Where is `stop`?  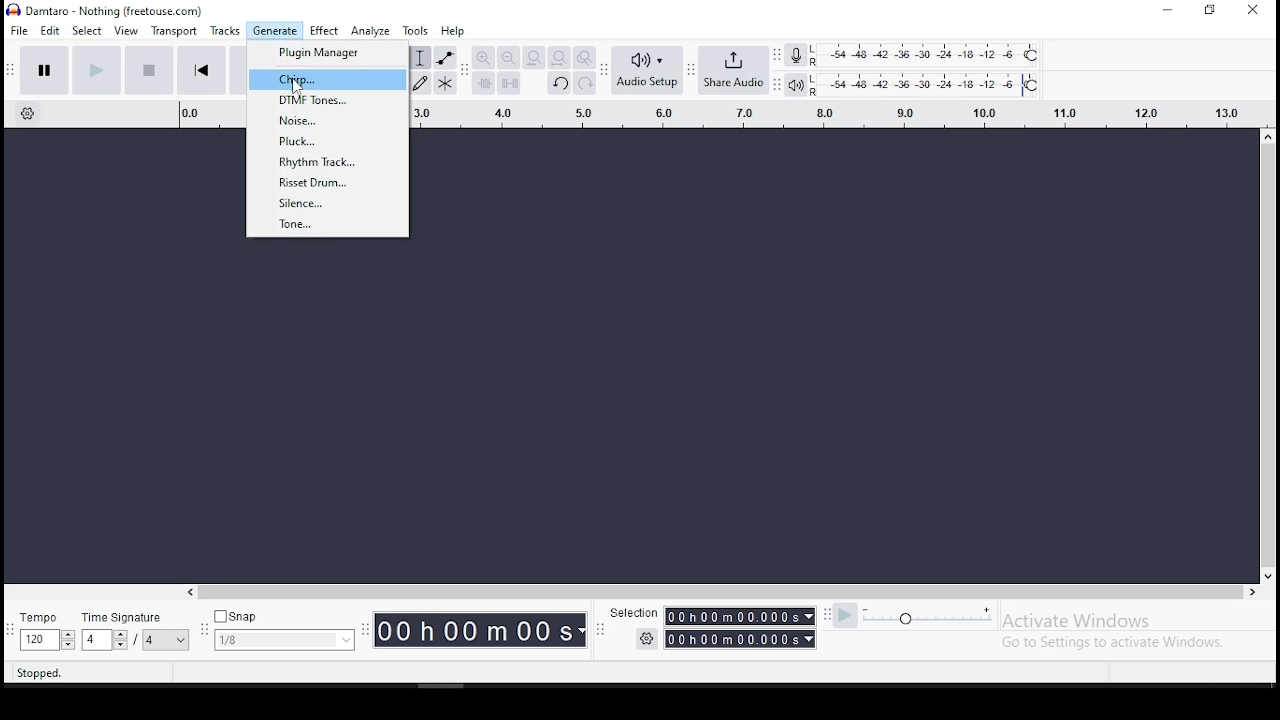 stop is located at coordinates (149, 69).